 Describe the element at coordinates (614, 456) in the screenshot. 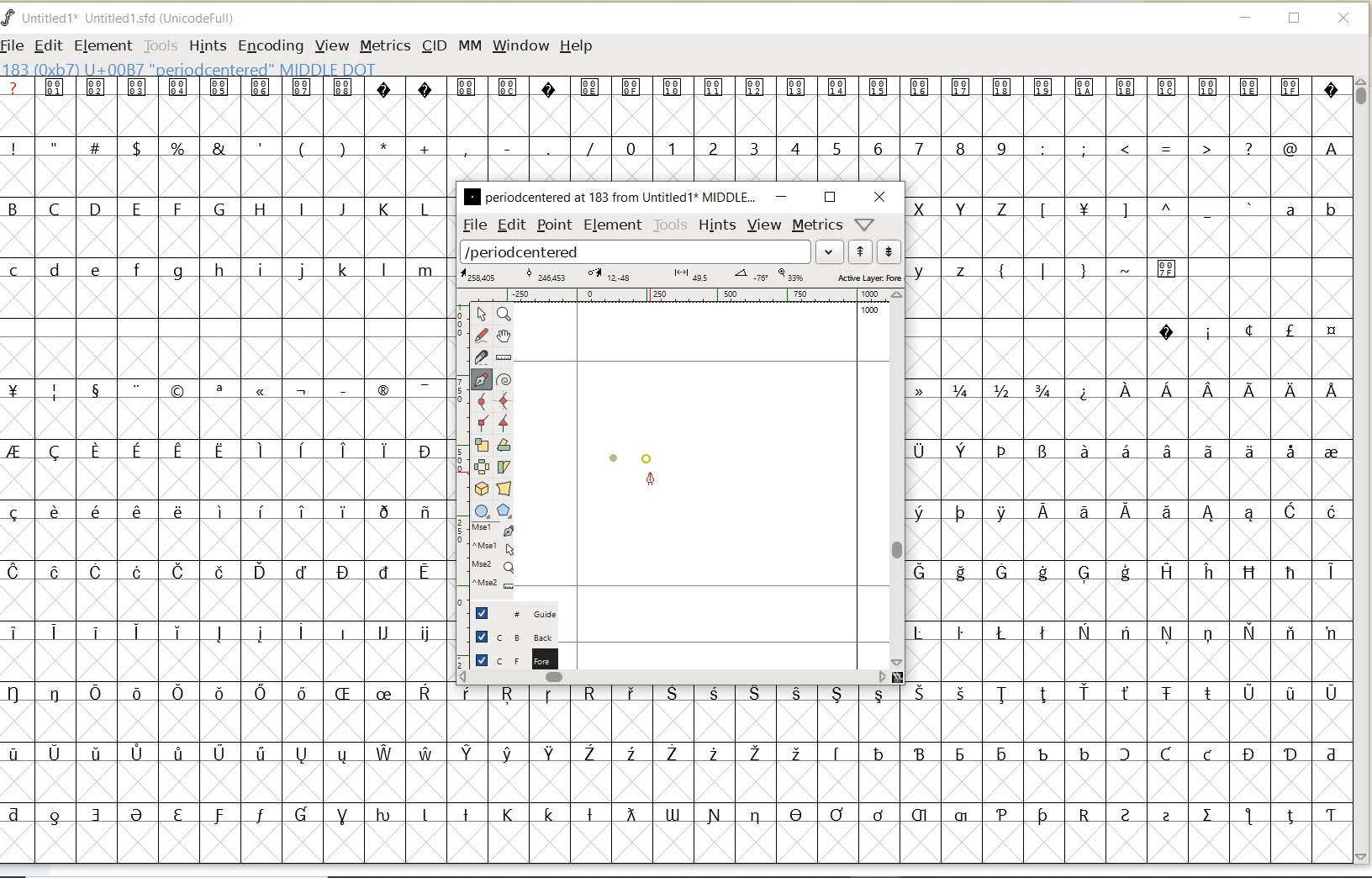

I see `dot` at that location.